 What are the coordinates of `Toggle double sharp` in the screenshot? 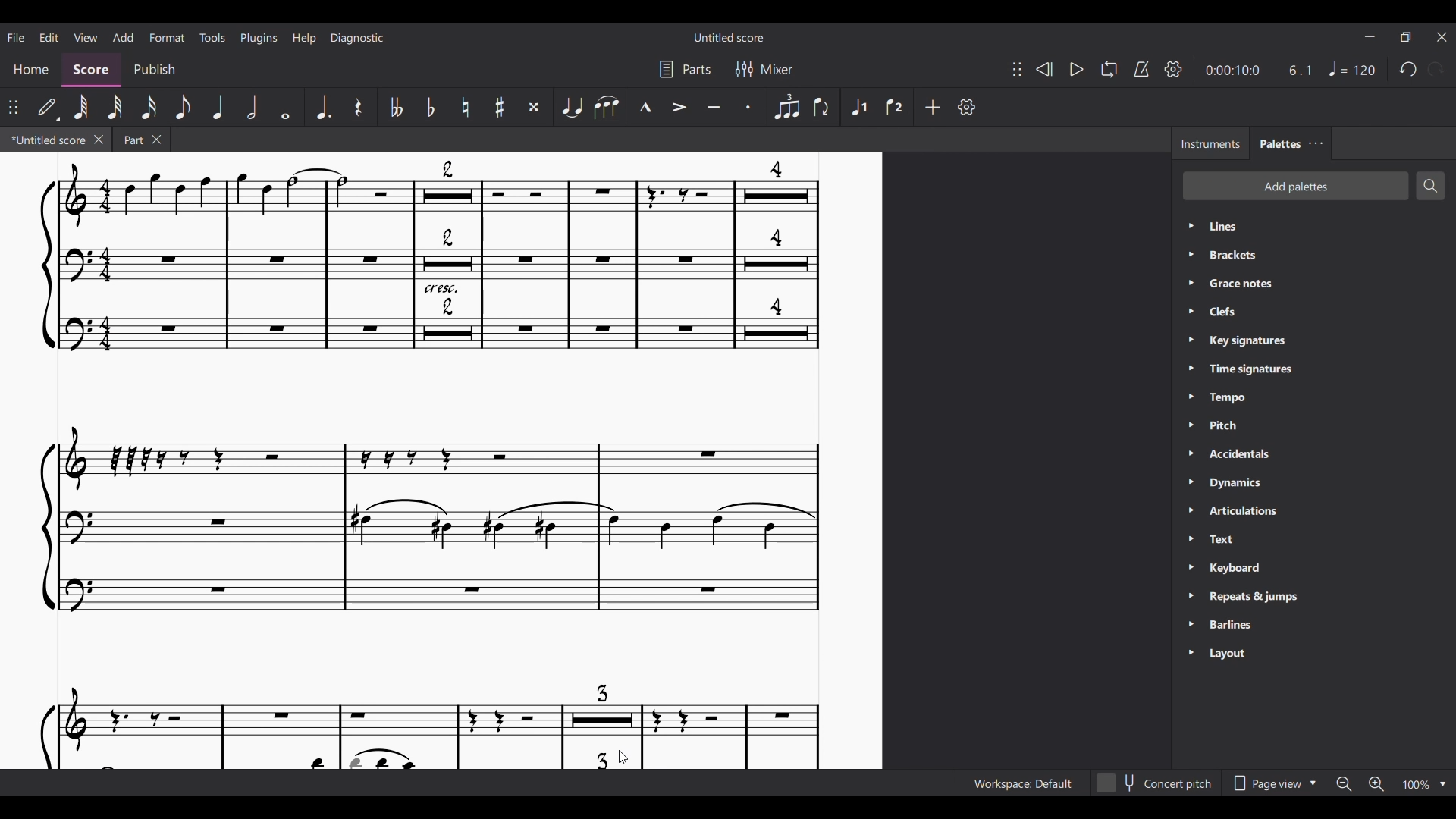 It's located at (536, 107).